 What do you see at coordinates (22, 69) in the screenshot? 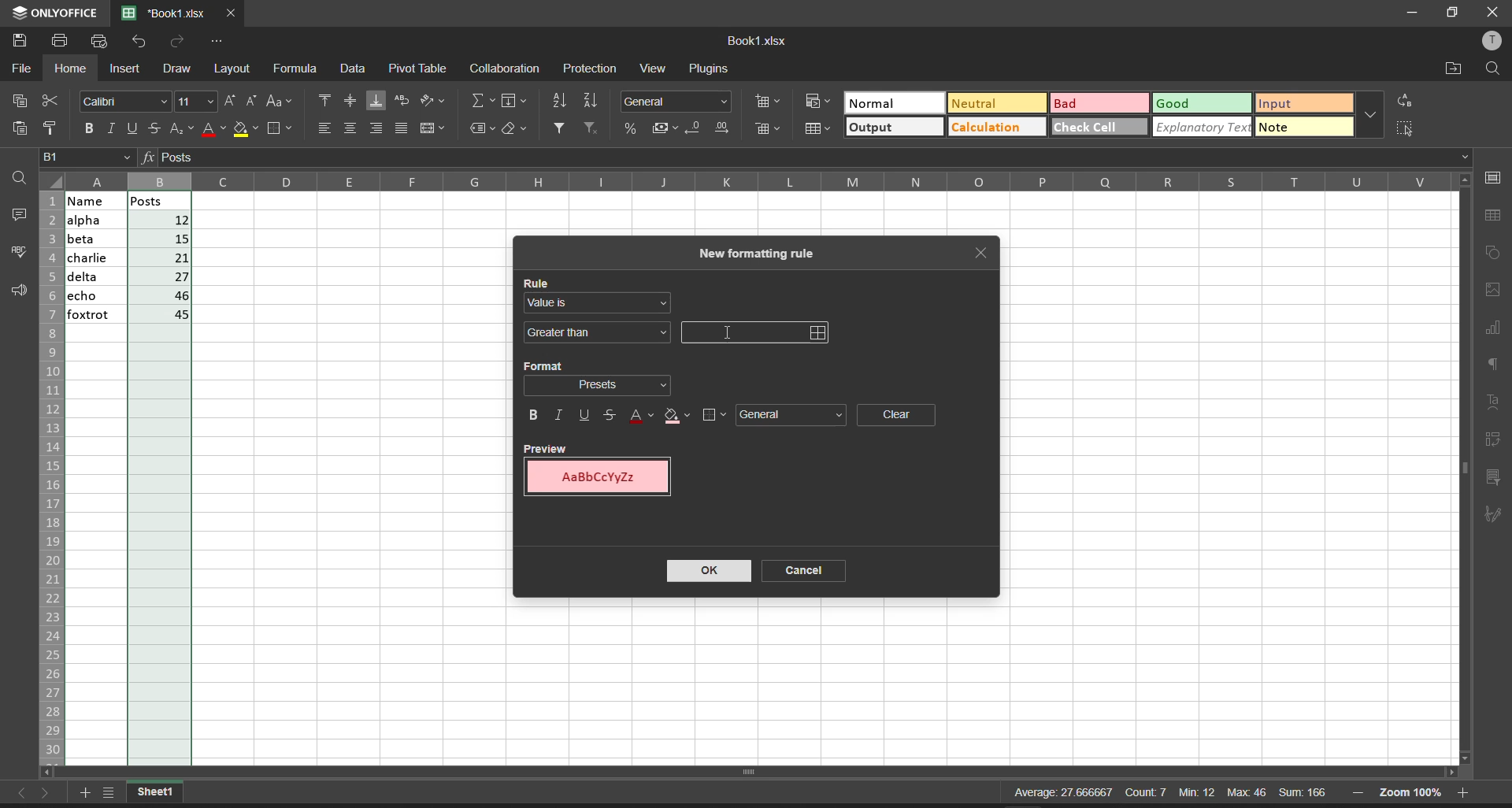
I see `file` at bounding box center [22, 69].